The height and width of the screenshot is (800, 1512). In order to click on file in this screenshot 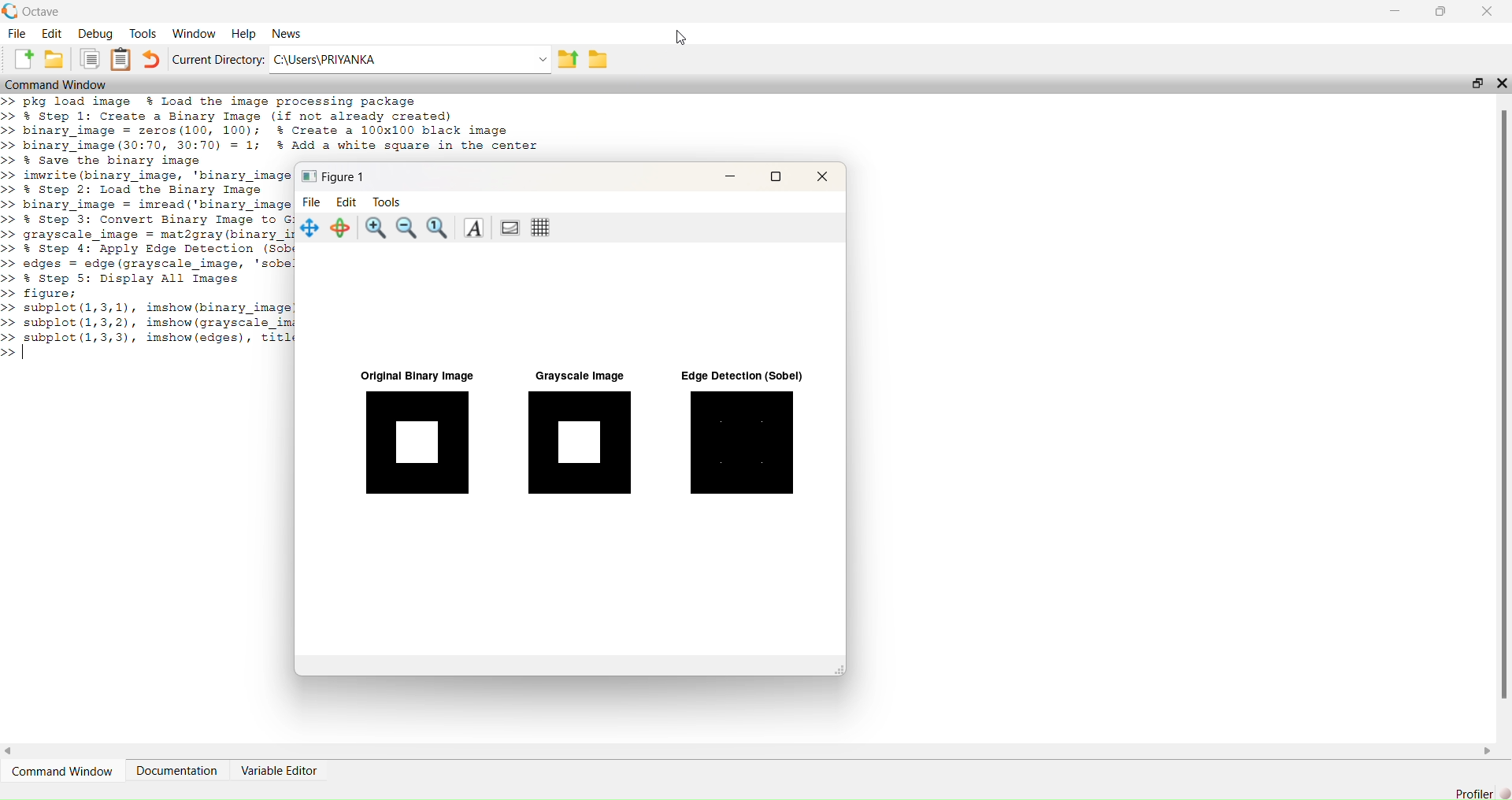, I will do `click(312, 201)`.